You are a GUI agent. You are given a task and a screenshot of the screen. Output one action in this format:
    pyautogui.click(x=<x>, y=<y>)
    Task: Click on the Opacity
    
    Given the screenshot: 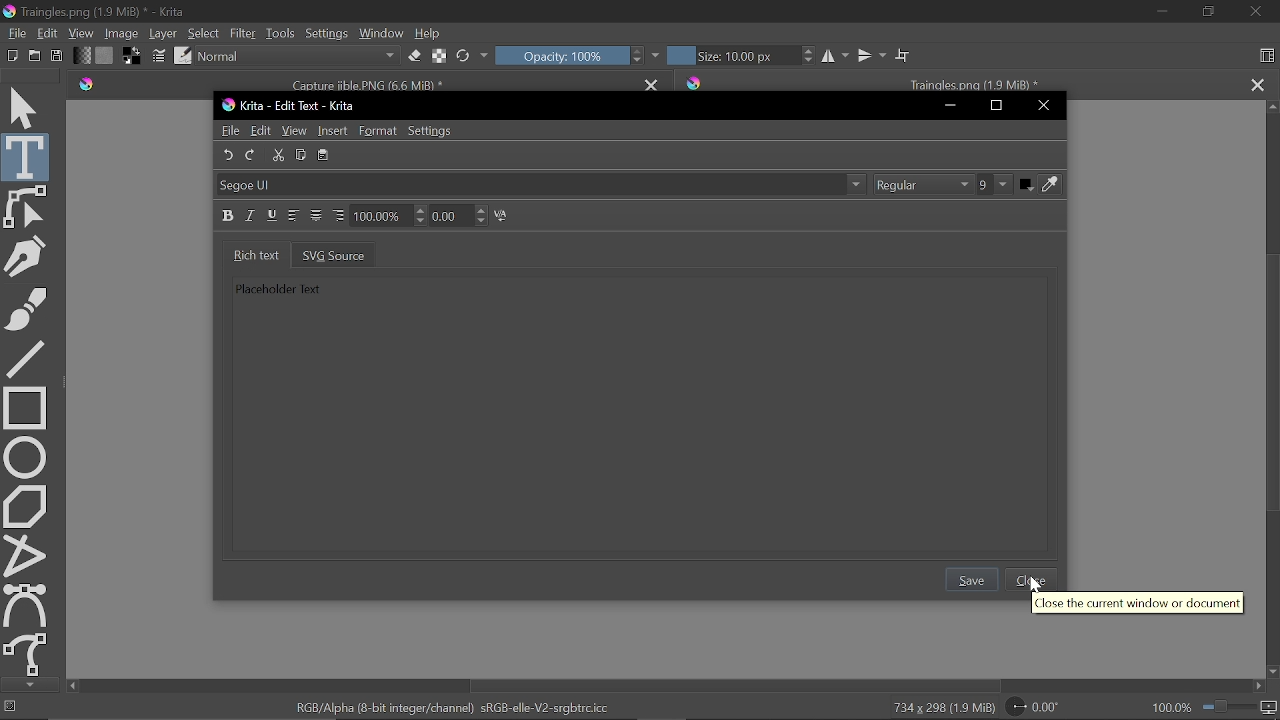 What is the action you would take?
    pyautogui.click(x=561, y=55)
    